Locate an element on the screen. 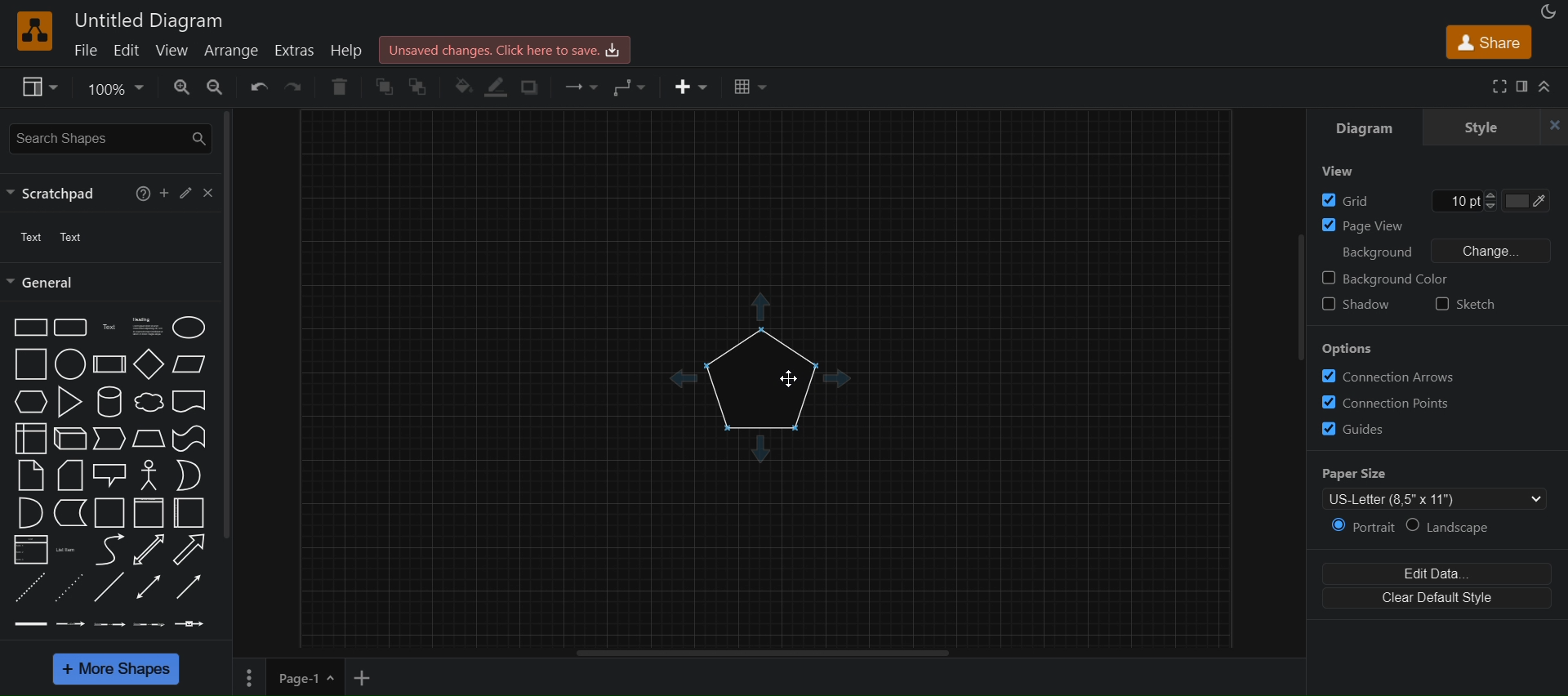 Image resolution: width=1568 pixels, height=696 pixels. general is located at coordinates (44, 283).